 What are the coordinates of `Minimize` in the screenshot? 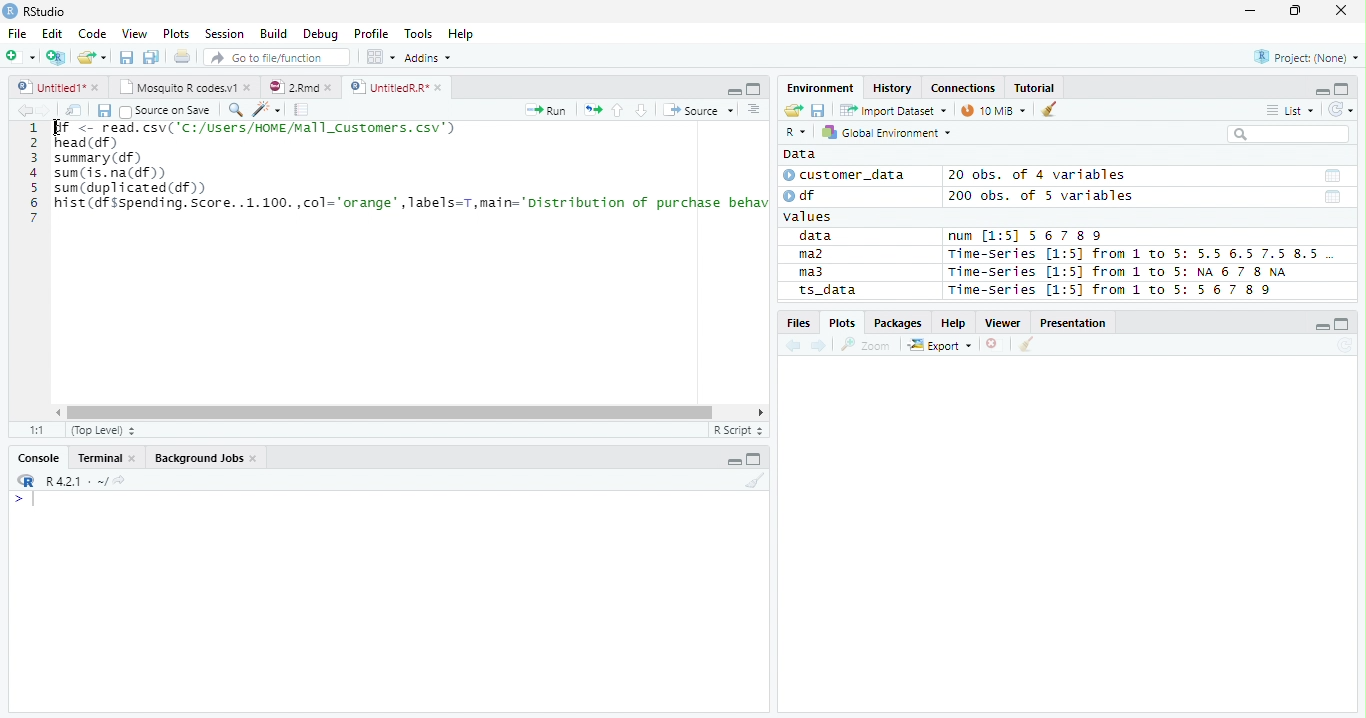 It's located at (735, 459).